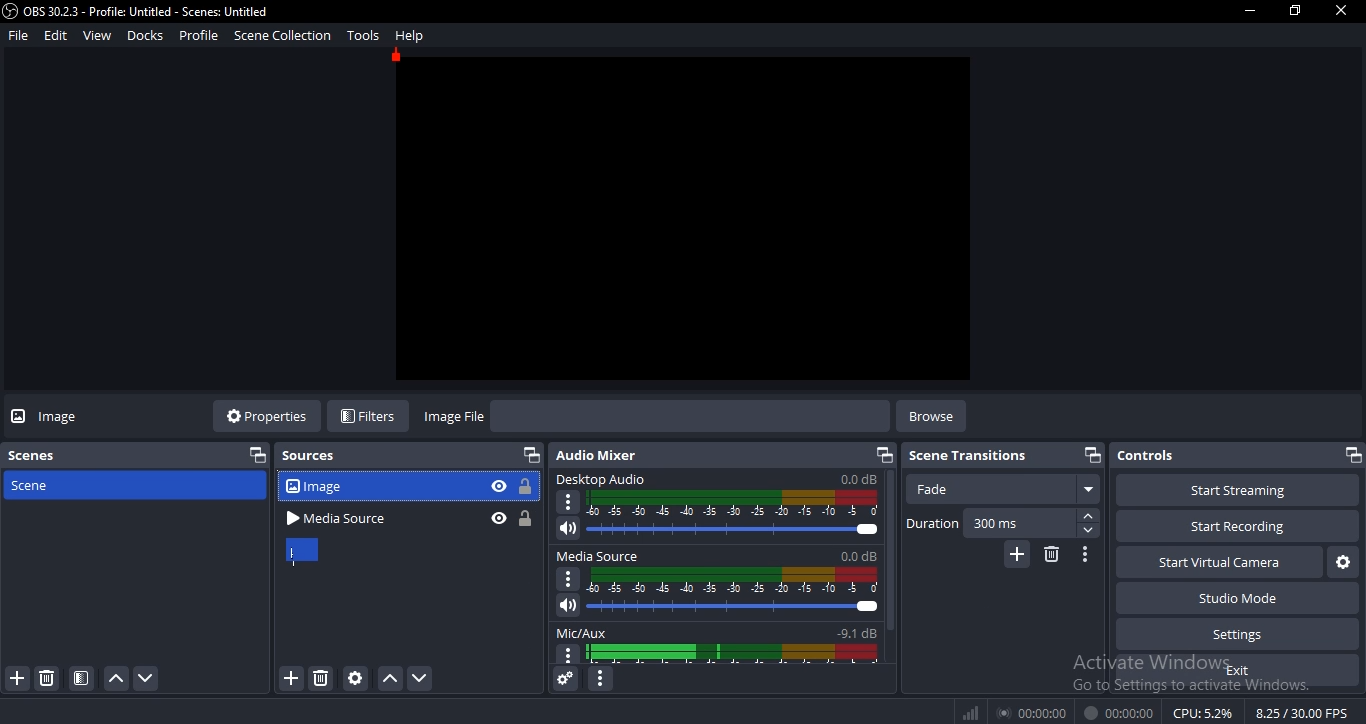  I want to click on 300ms, so click(995, 523).